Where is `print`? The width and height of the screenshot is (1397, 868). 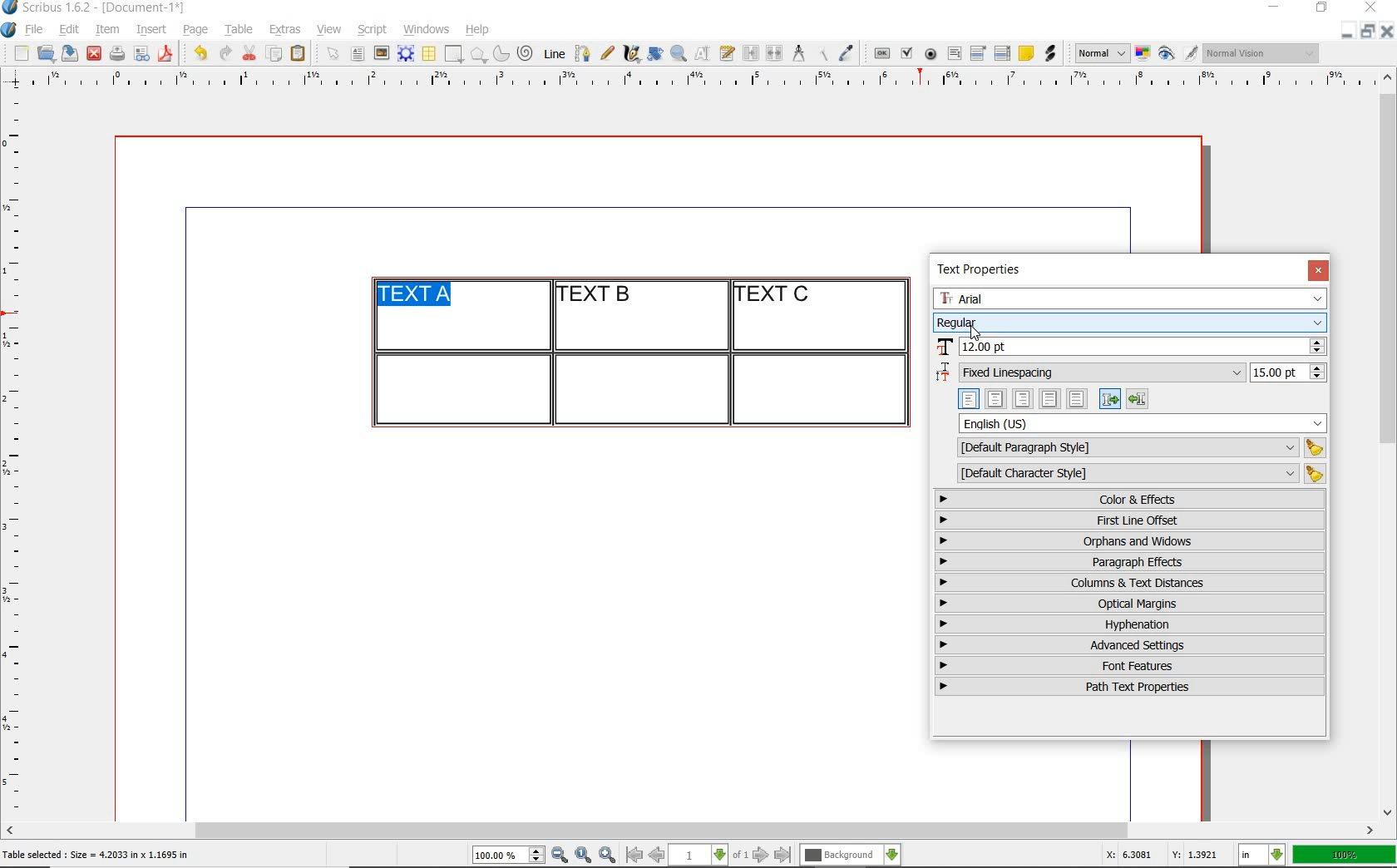
print is located at coordinates (116, 53).